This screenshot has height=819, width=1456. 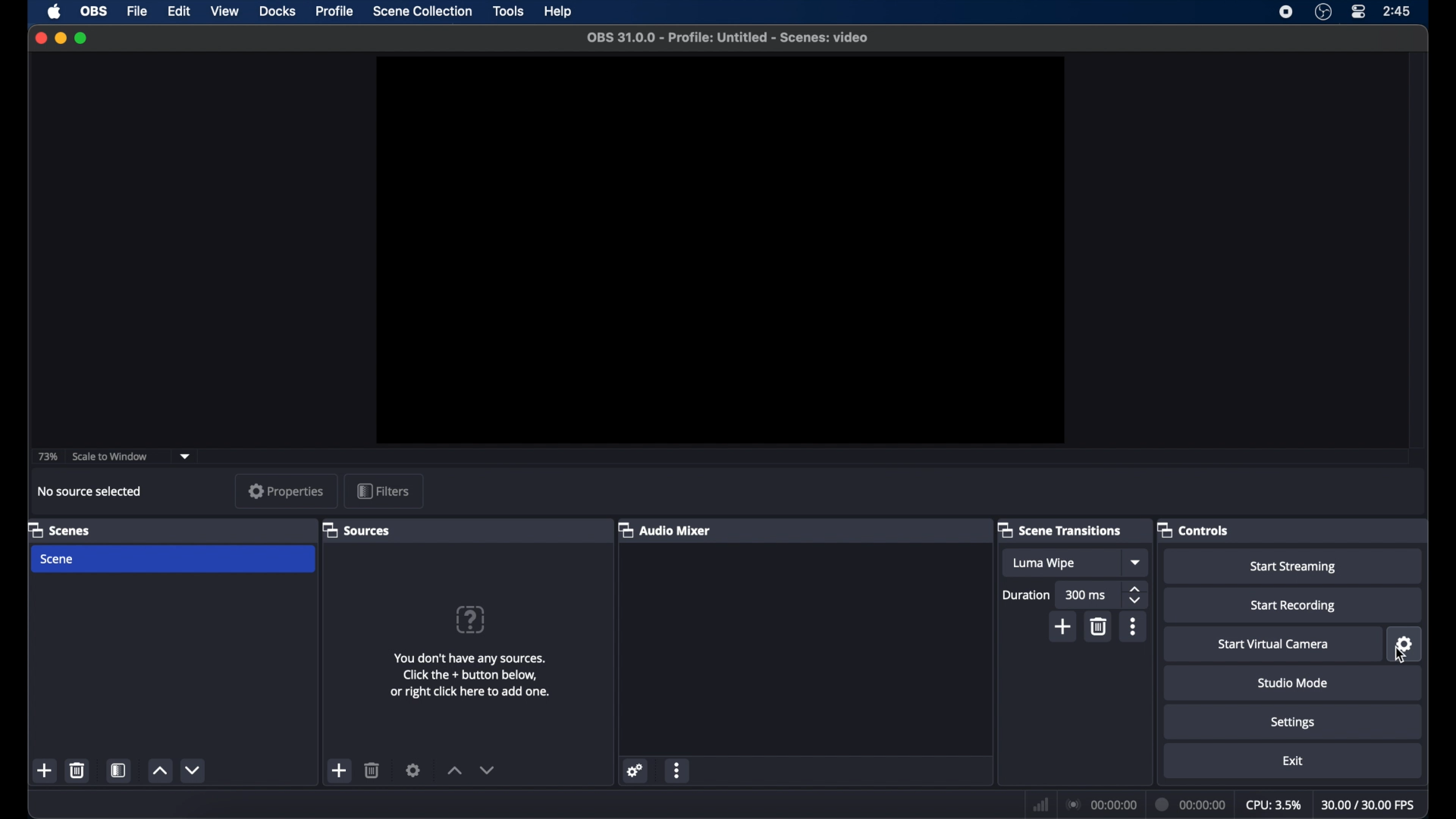 I want to click on increment, so click(x=158, y=771).